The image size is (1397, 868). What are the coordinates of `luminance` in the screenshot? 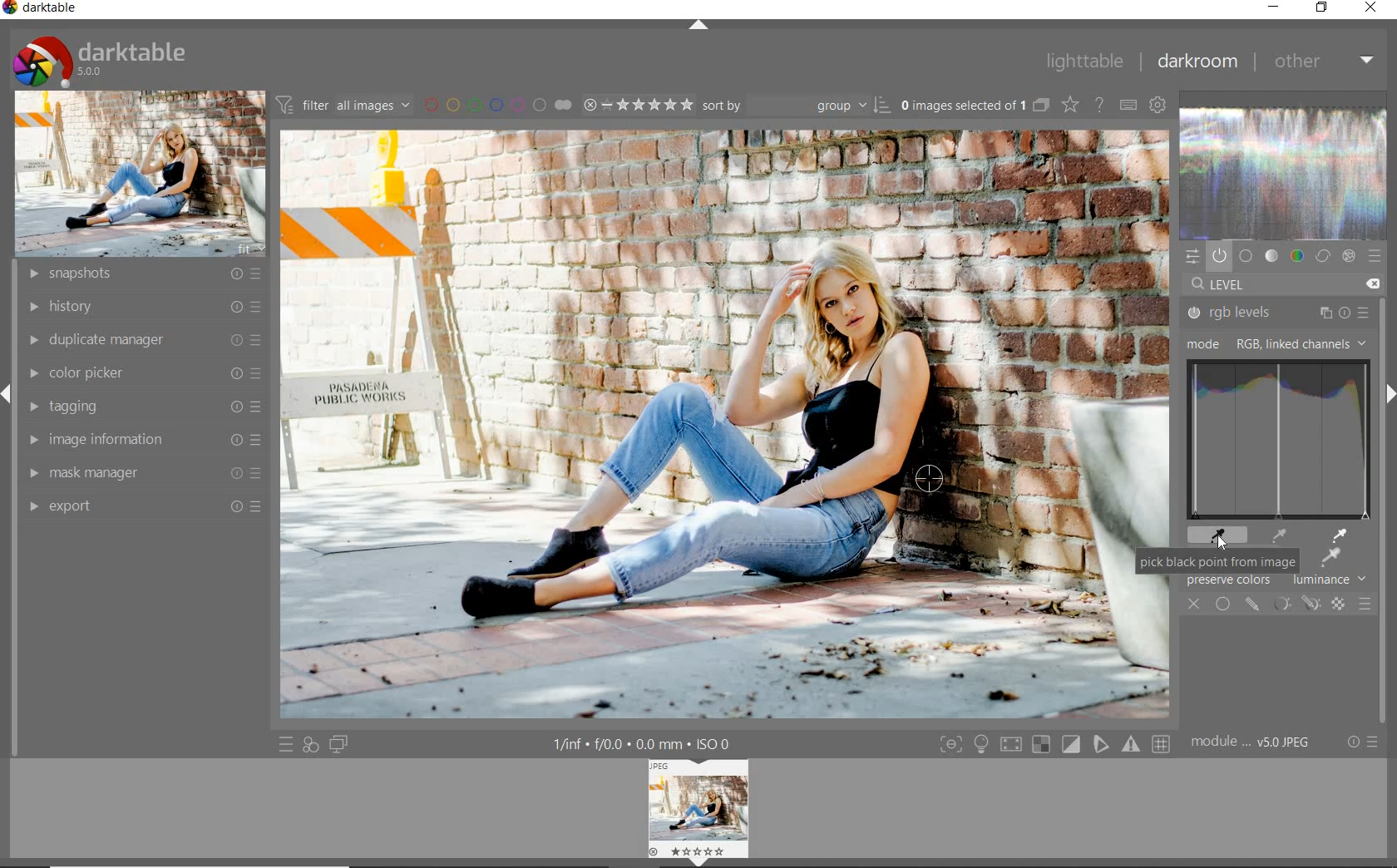 It's located at (1328, 580).